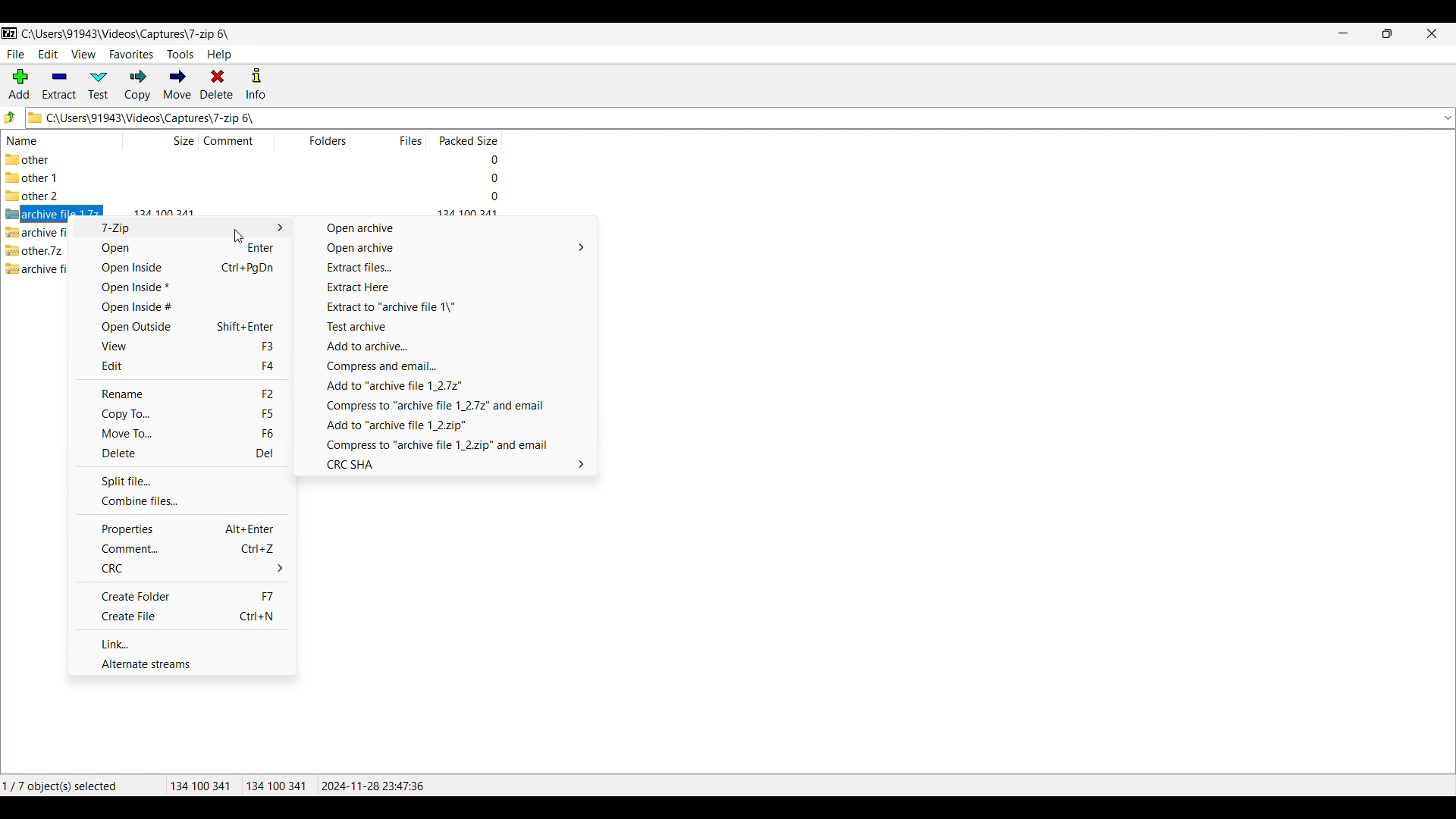 The width and height of the screenshot is (1456, 819). I want to click on Create folder, so click(183, 595).